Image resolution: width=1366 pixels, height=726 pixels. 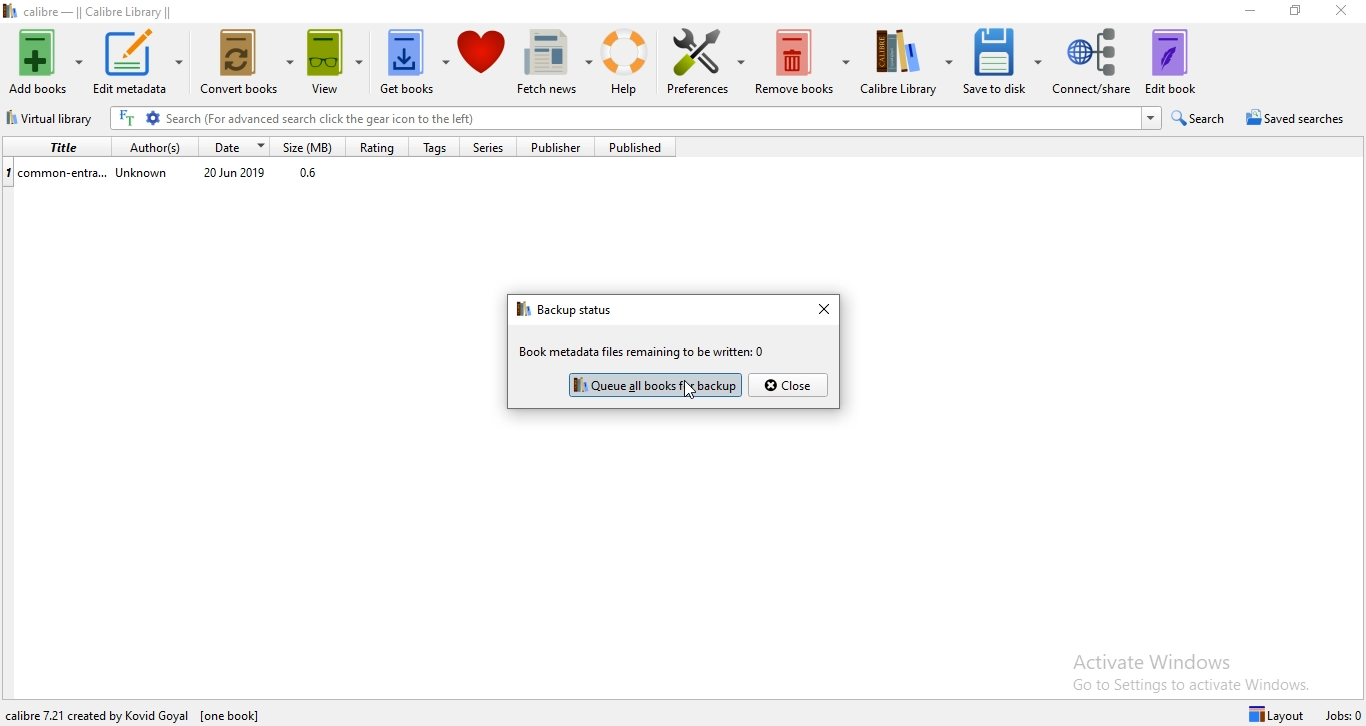 I want to click on Rating, so click(x=375, y=147).